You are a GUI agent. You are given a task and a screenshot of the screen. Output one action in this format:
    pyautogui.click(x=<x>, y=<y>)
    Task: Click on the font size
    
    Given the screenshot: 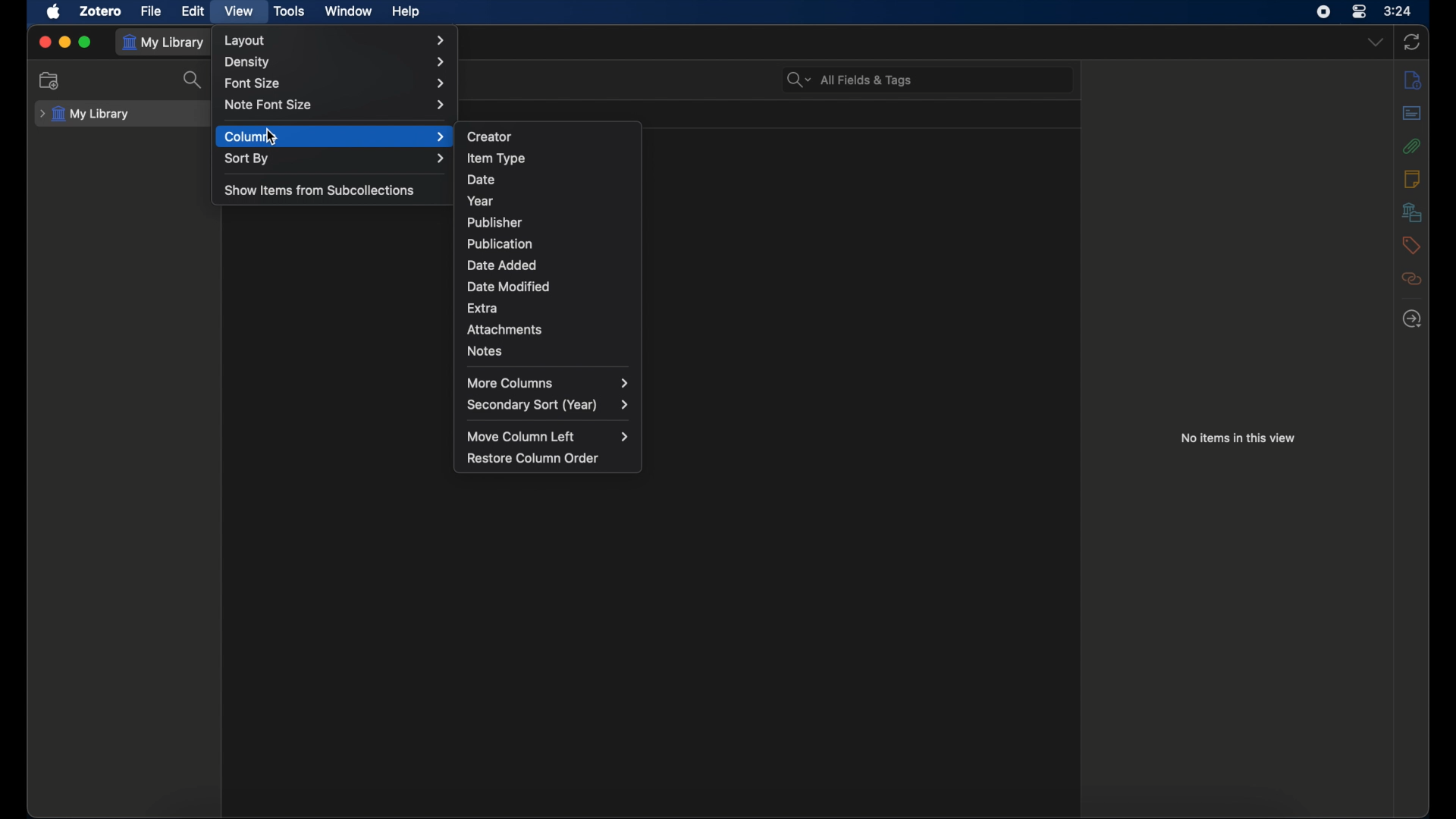 What is the action you would take?
    pyautogui.click(x=338, y=84)
    